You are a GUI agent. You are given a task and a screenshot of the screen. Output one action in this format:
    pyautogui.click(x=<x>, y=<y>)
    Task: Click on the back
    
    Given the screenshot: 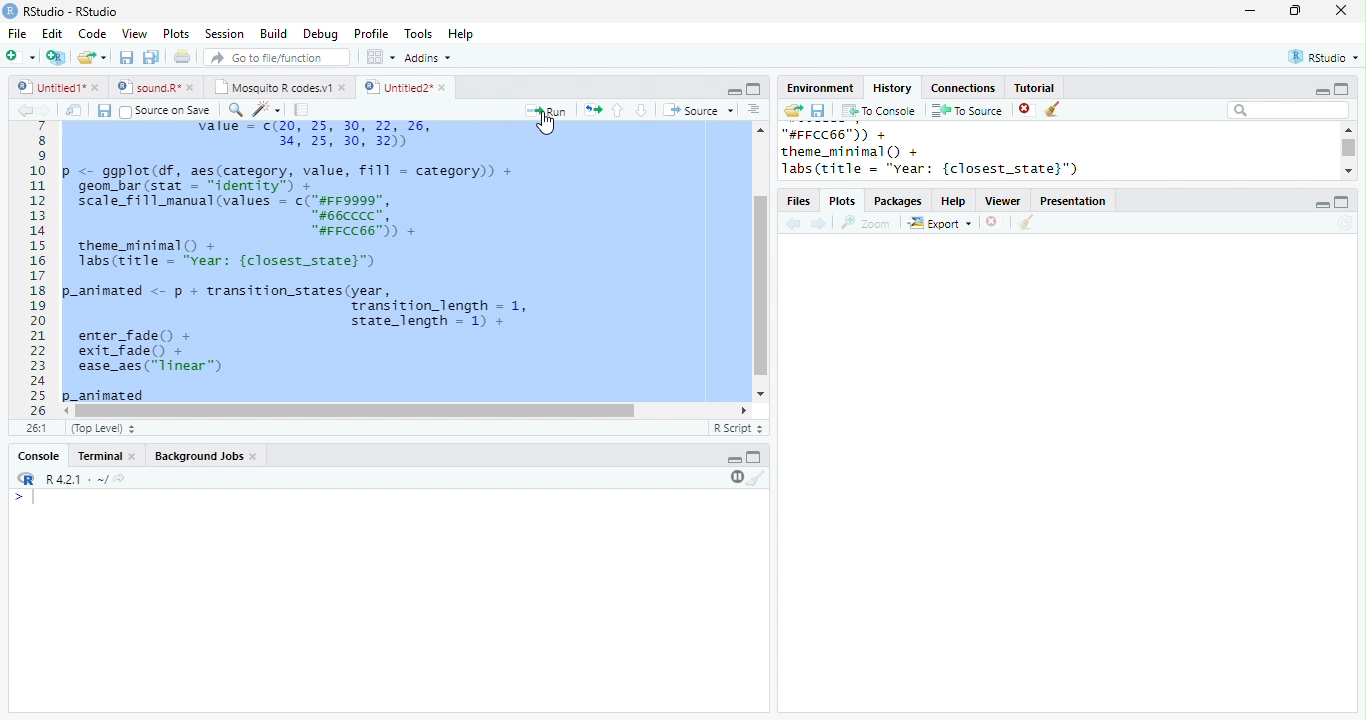 What is the action you would take?
    pyautogui.click(x=793, y=223)
    